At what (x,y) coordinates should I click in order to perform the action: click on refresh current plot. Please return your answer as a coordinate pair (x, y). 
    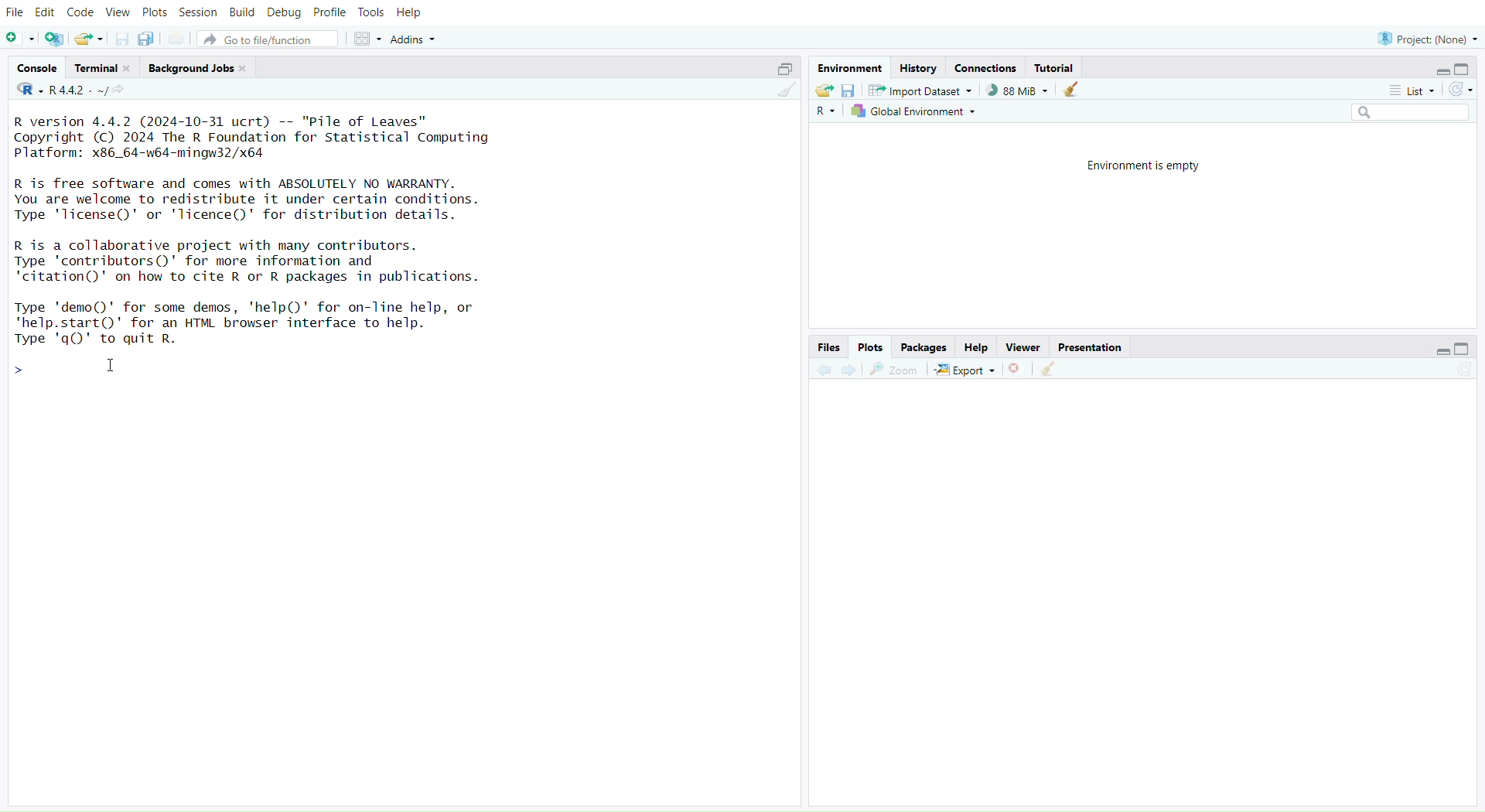
    Looking at the image, I should click on (1468, 368).